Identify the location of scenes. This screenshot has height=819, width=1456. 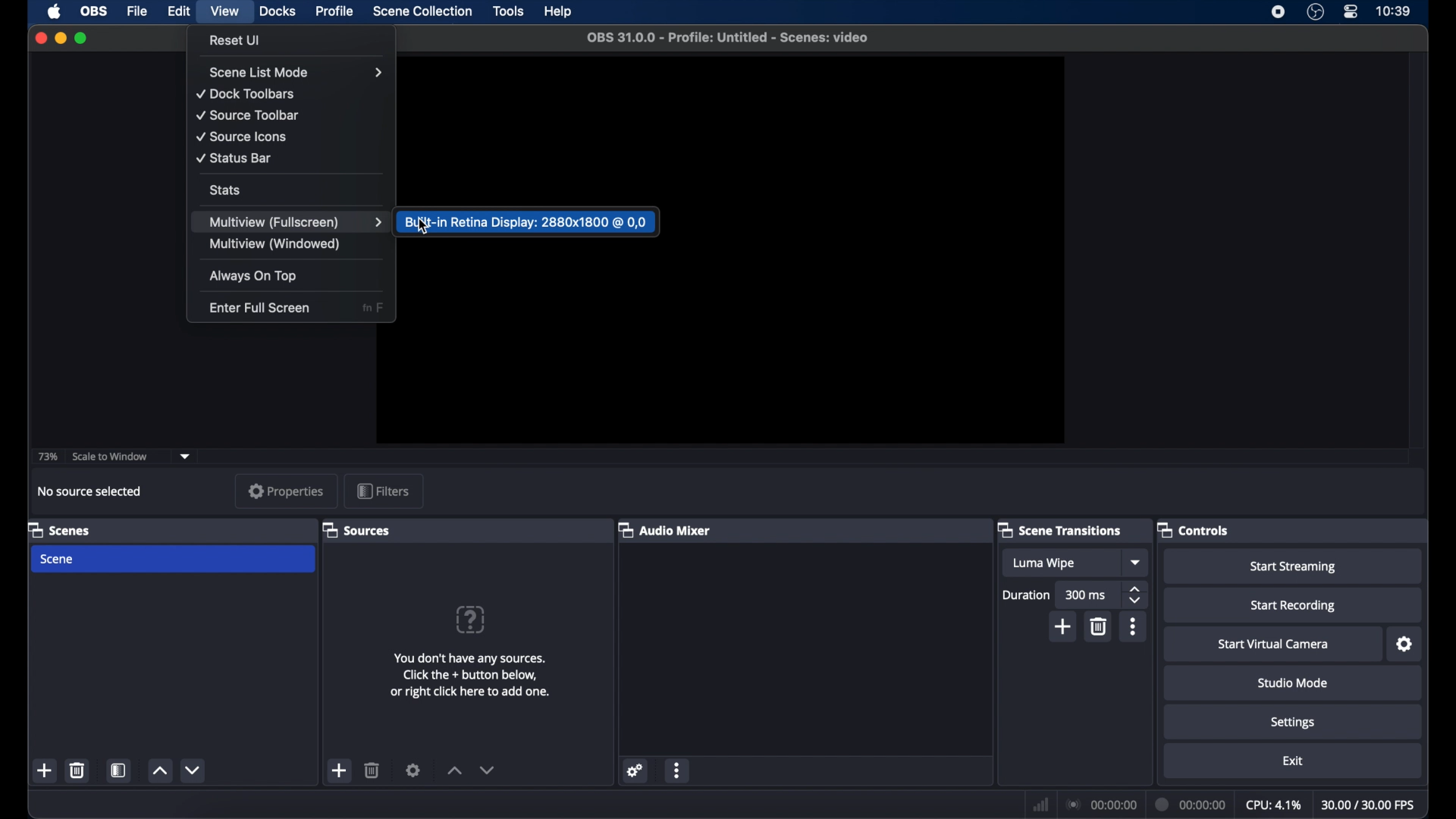
(58, 529).